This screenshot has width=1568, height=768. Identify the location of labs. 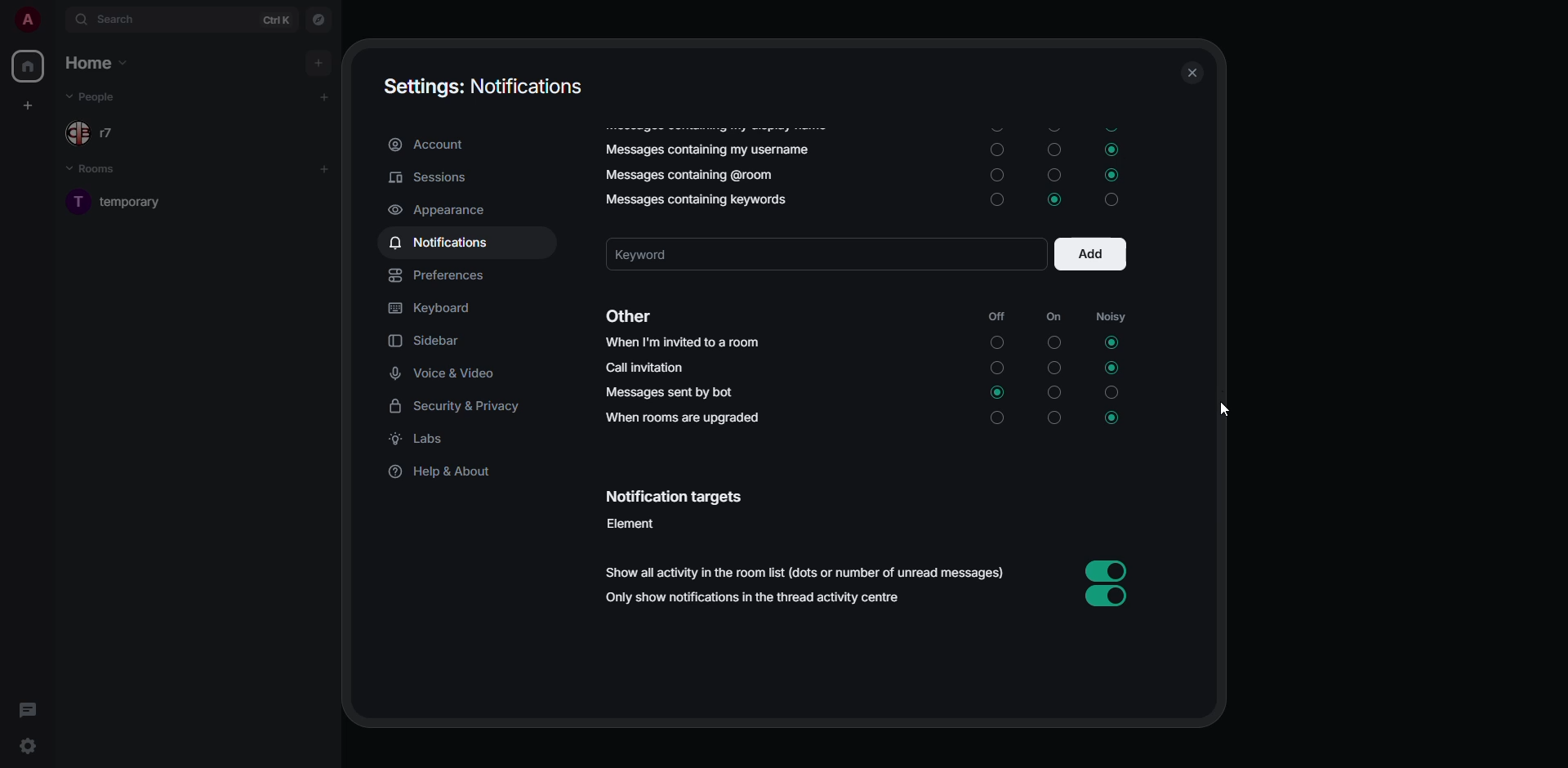
(423, 440).